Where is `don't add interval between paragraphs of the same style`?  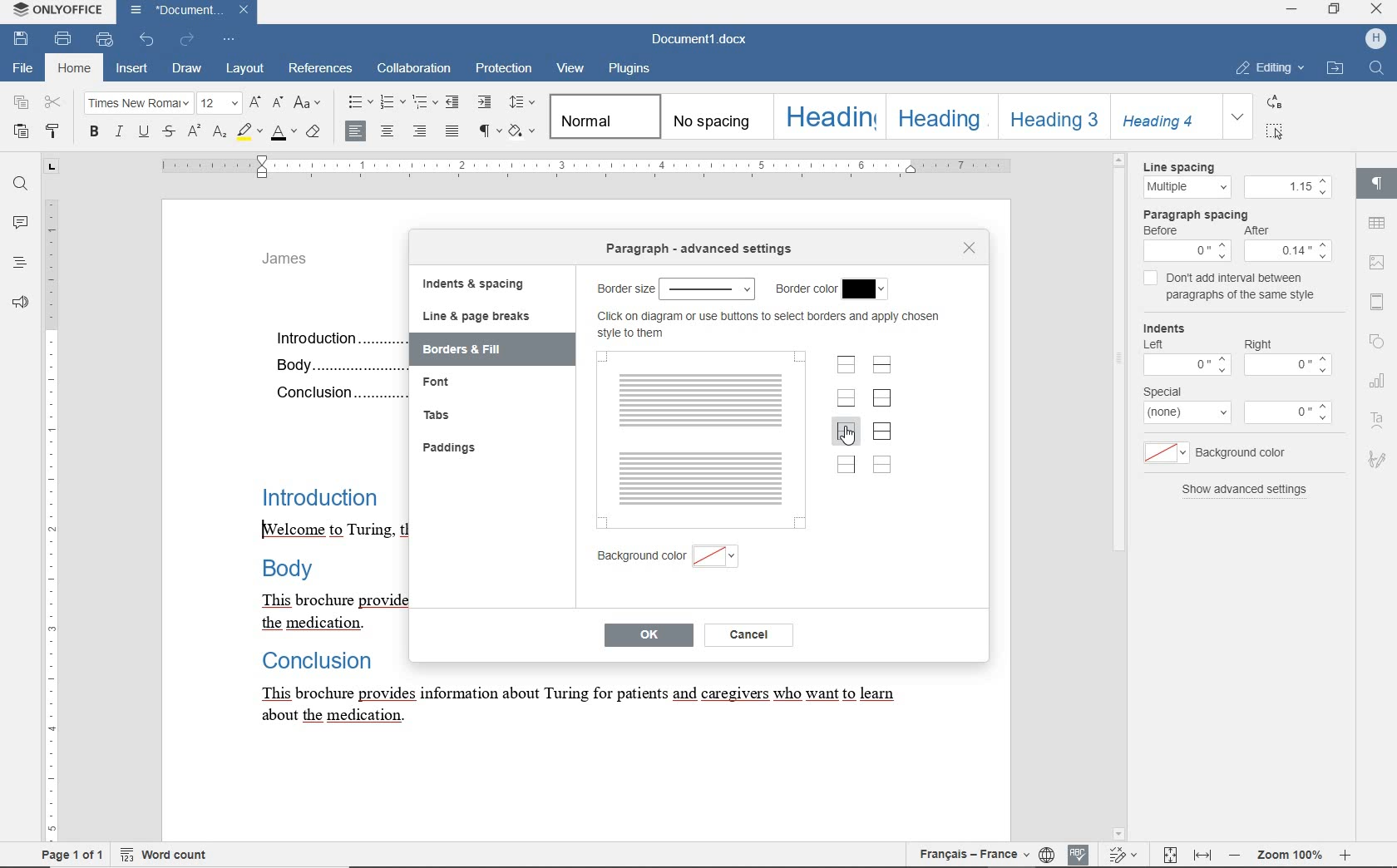
don't add interval between paragraphs of the same style is located at coordinates (1246, 289).